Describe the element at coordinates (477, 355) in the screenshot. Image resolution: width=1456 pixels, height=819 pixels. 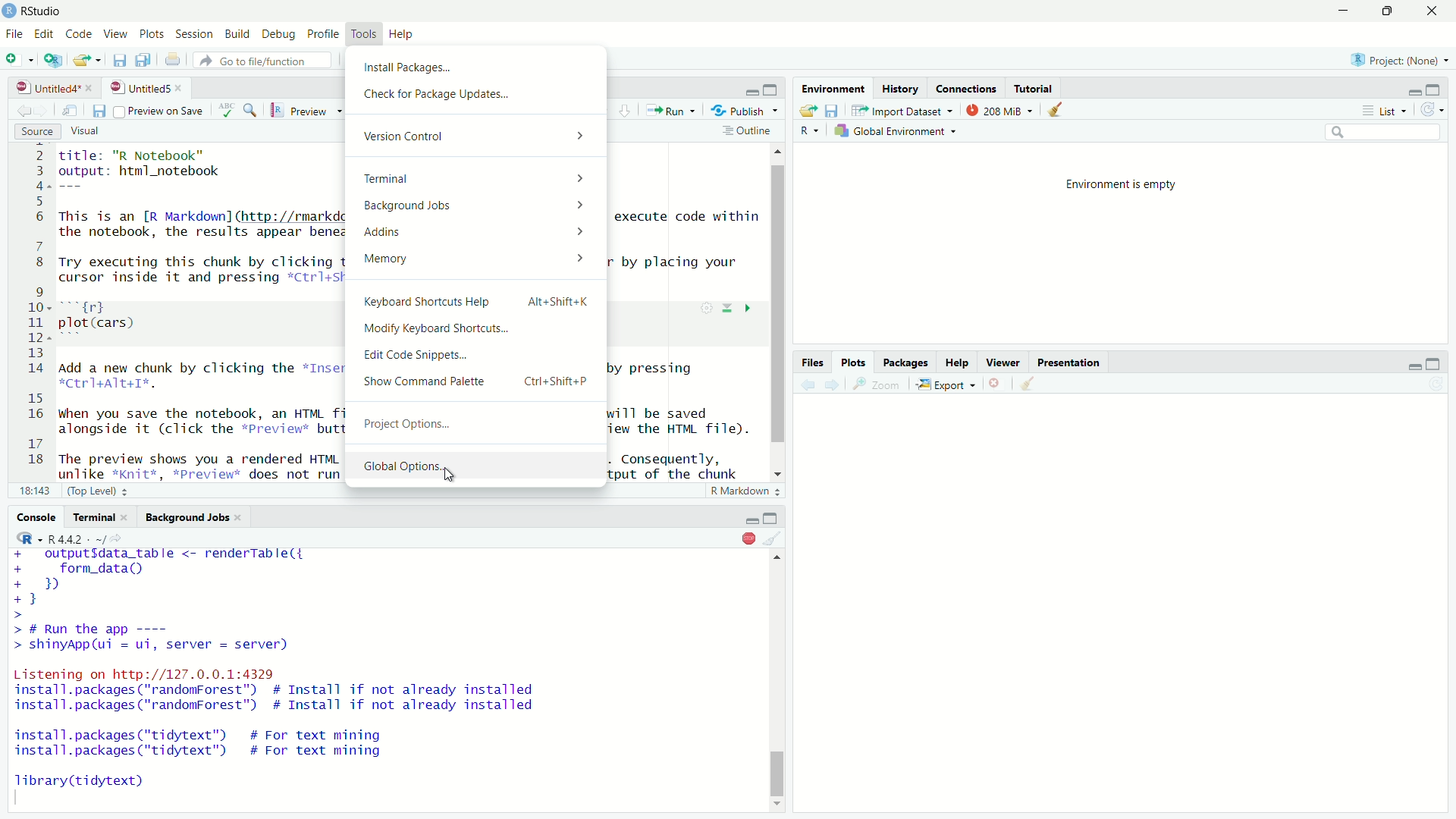
I see `Edit Code Snippets.` at that location.